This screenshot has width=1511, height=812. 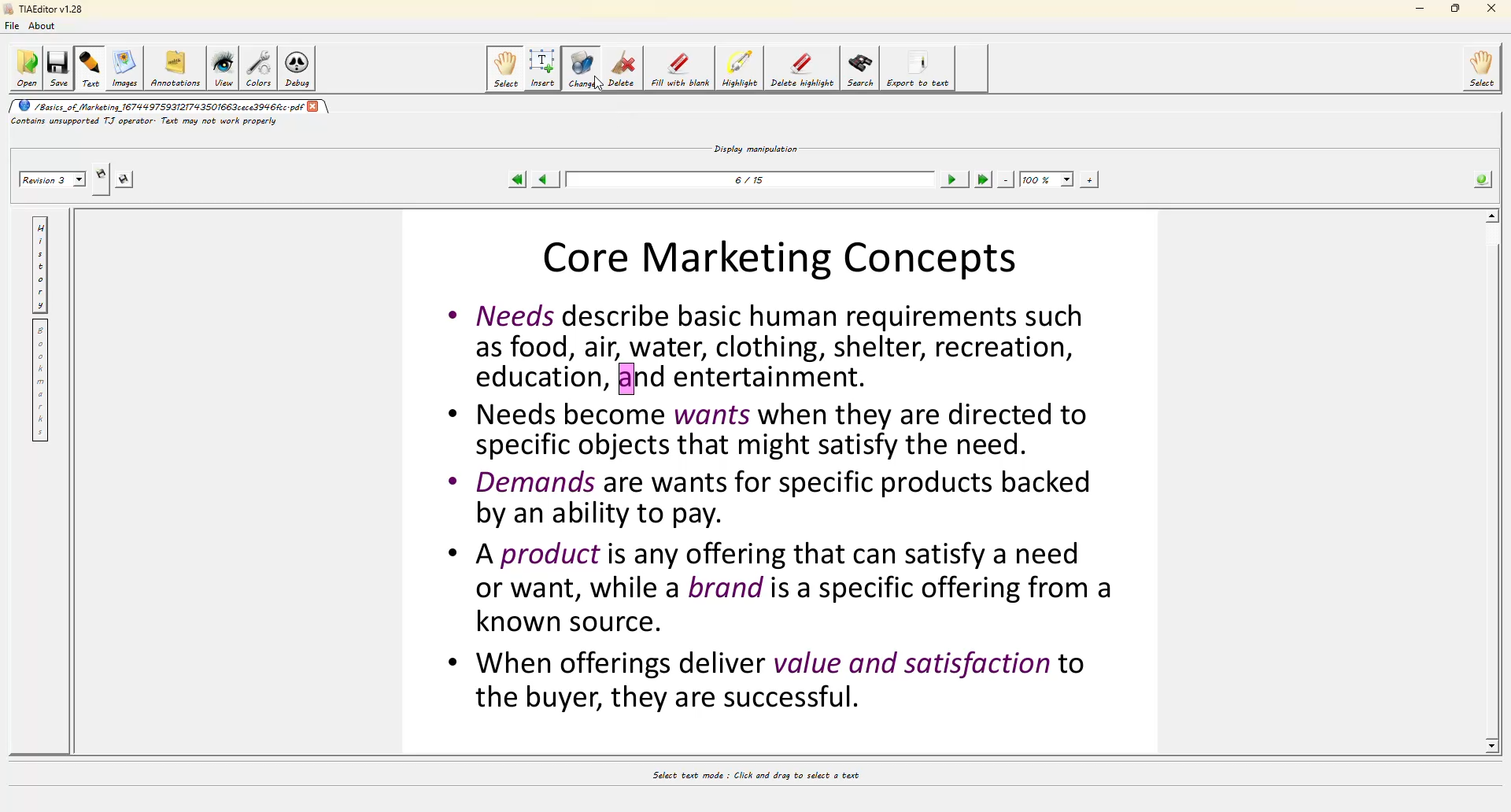 What do you see at coordinates (629, 67) in the screenshot?
I see `delete` at bounding box center [629, 67].